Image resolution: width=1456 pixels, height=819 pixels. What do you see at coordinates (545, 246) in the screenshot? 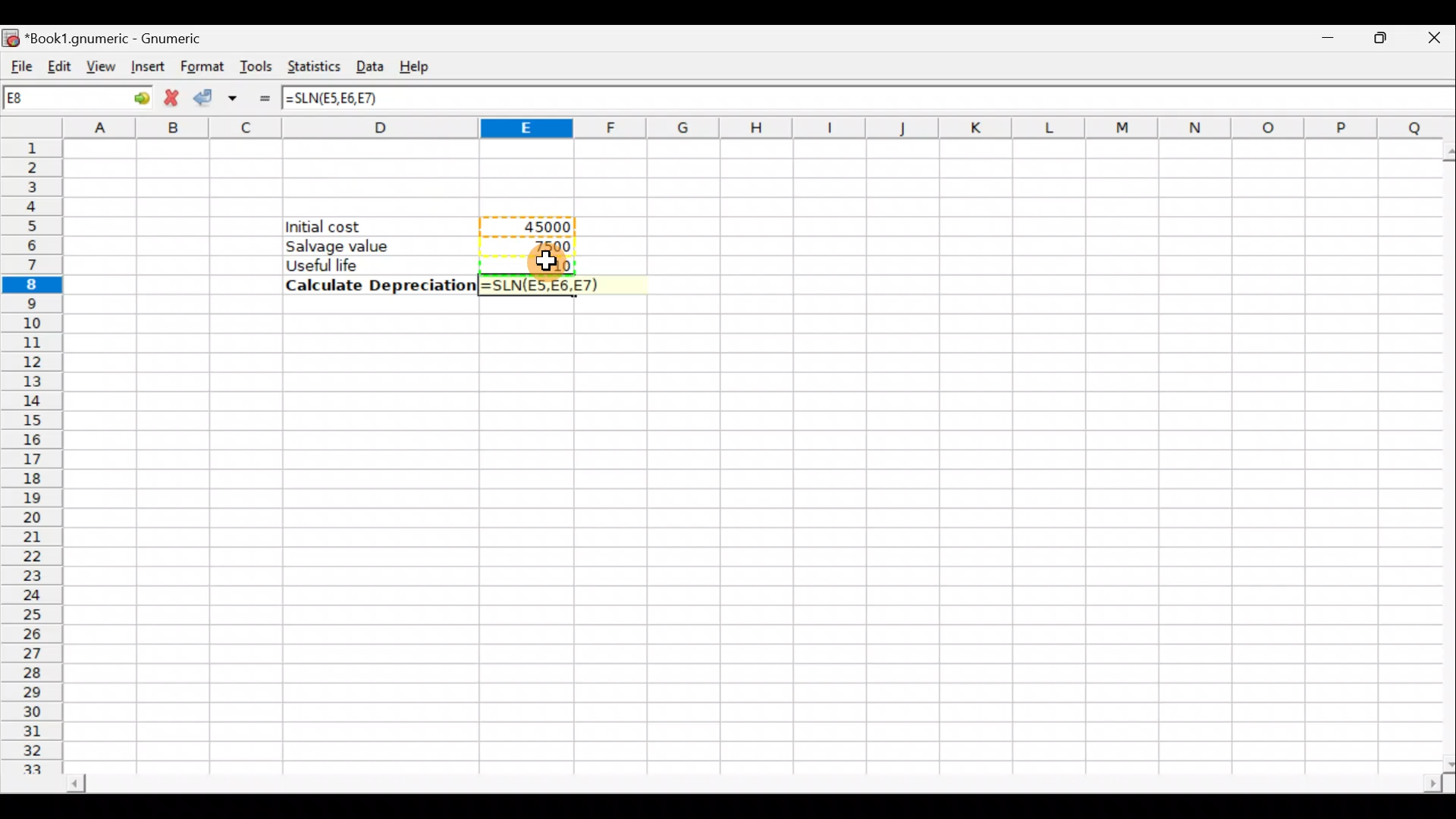
I see `7500` at bounding box center [545, 246].